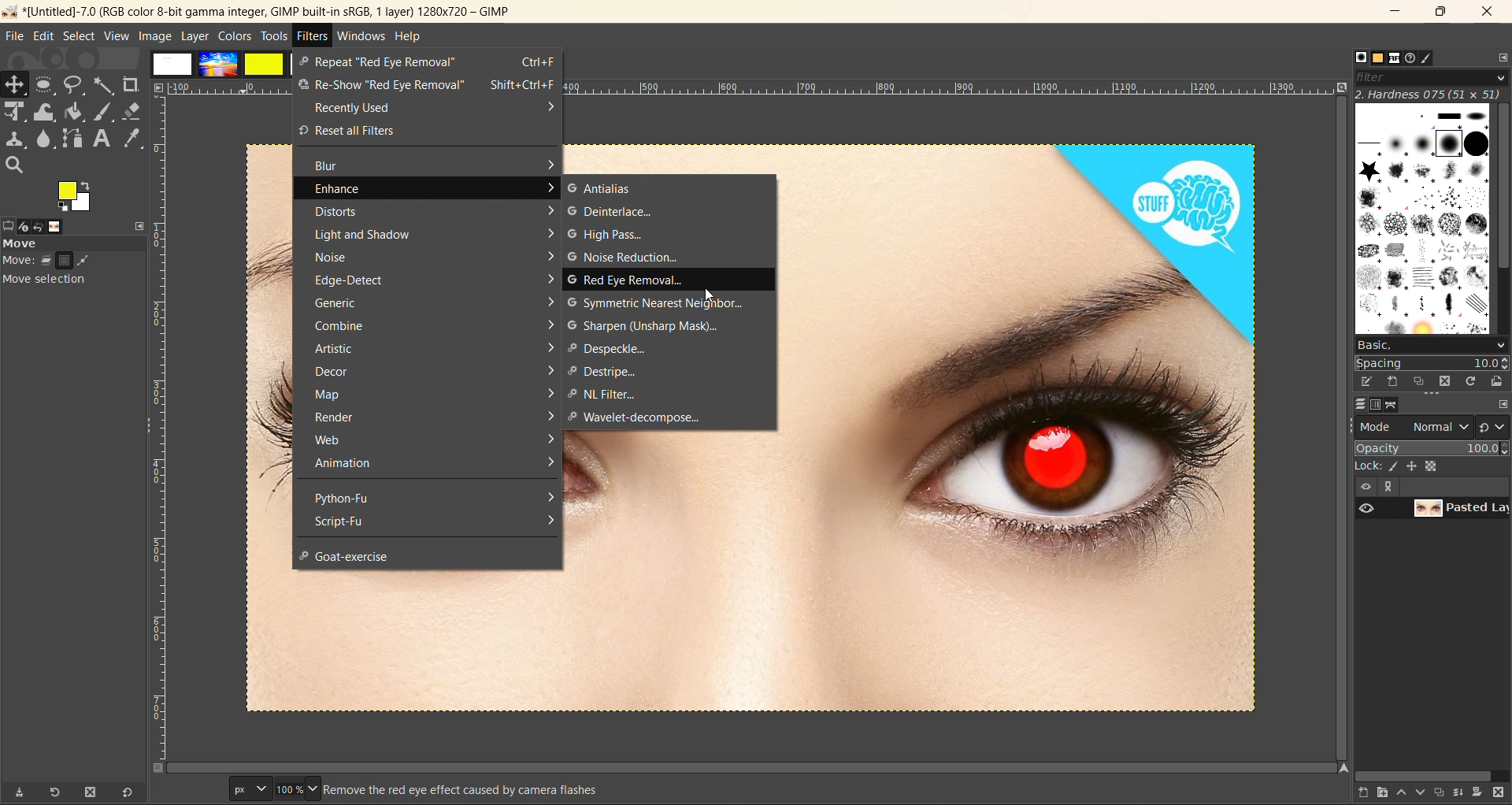  I want to click on filter, so click(1432, 78).